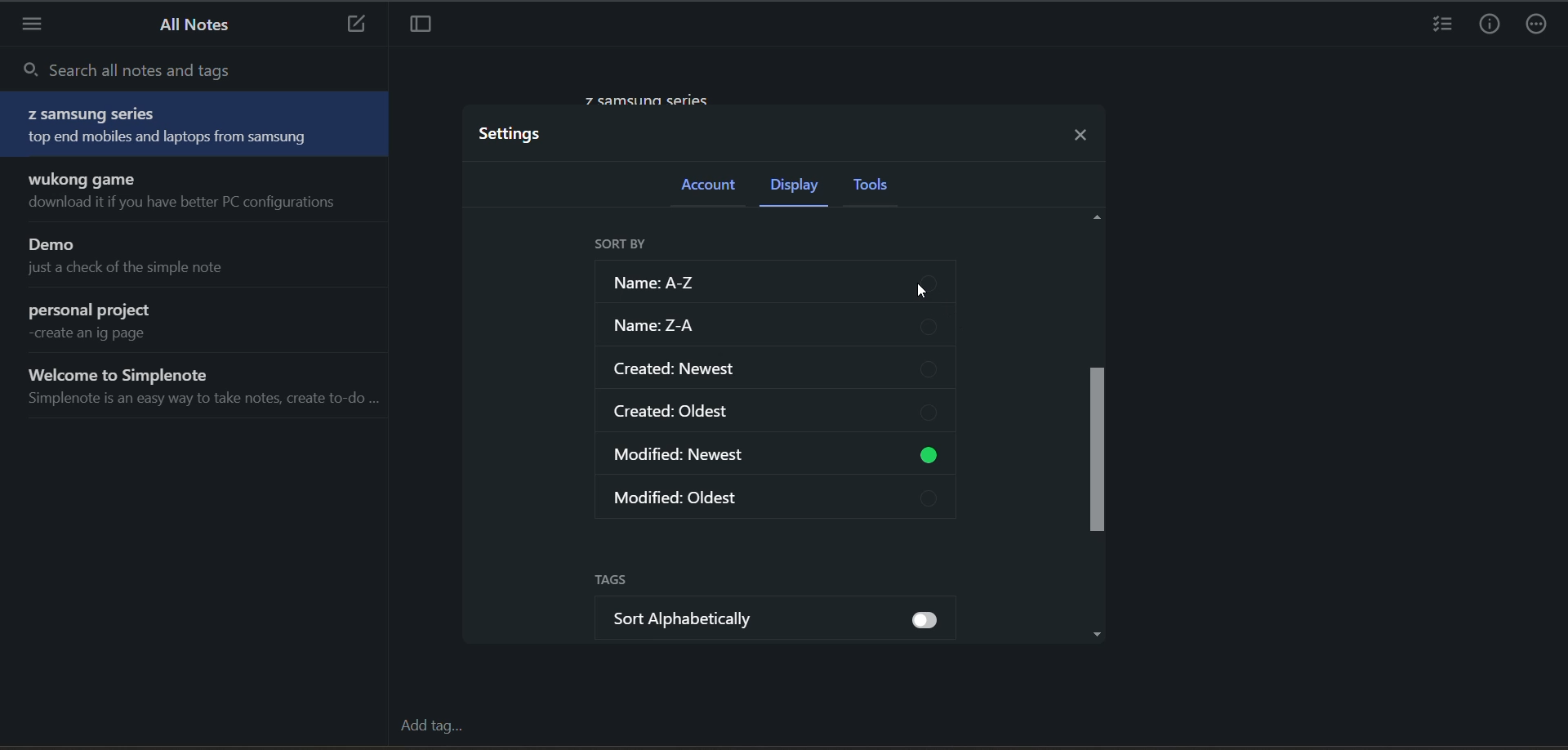  I want to click on cursor, so click(926, 296).